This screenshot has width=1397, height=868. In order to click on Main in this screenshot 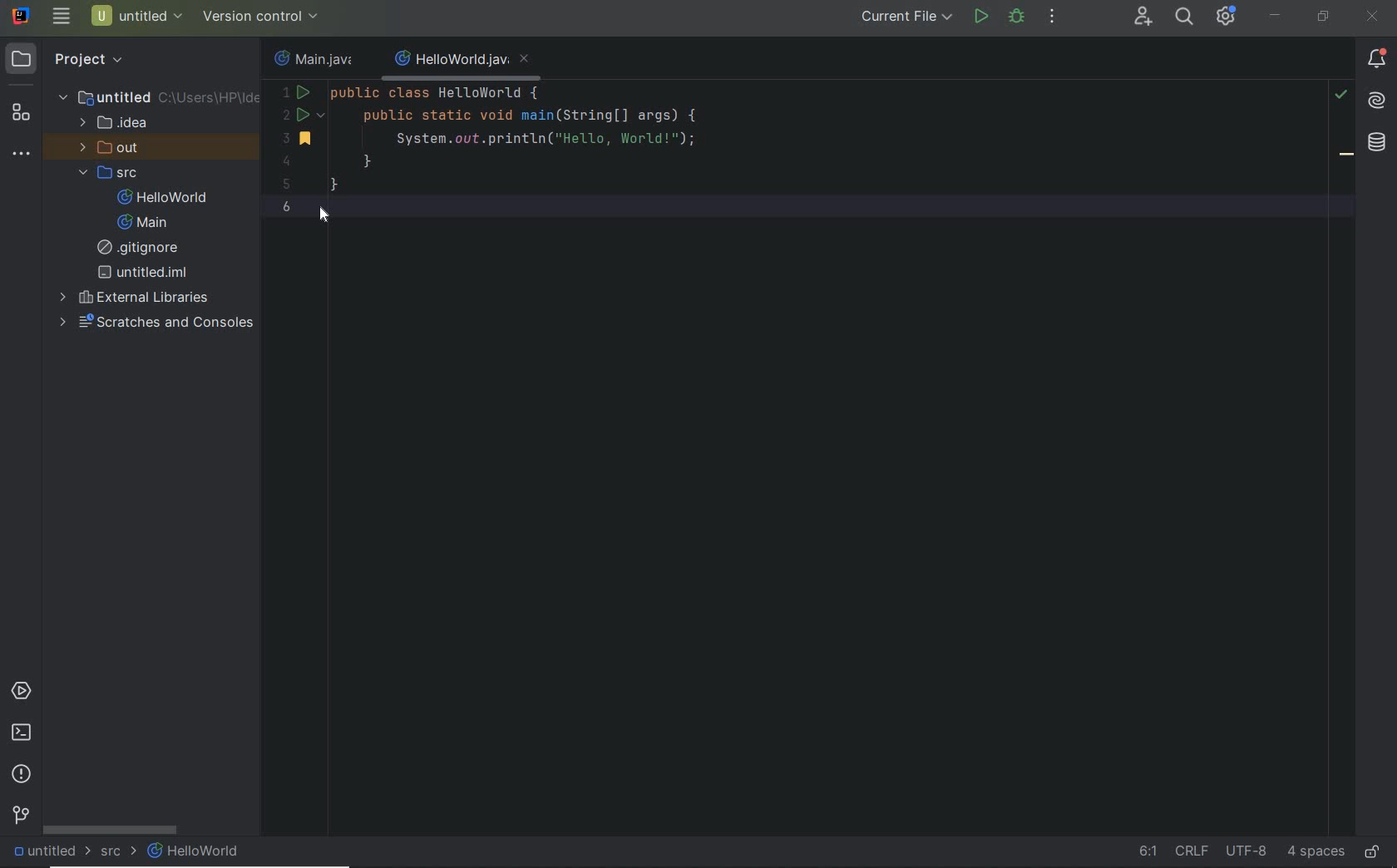, I will do `click(146, 223)`.